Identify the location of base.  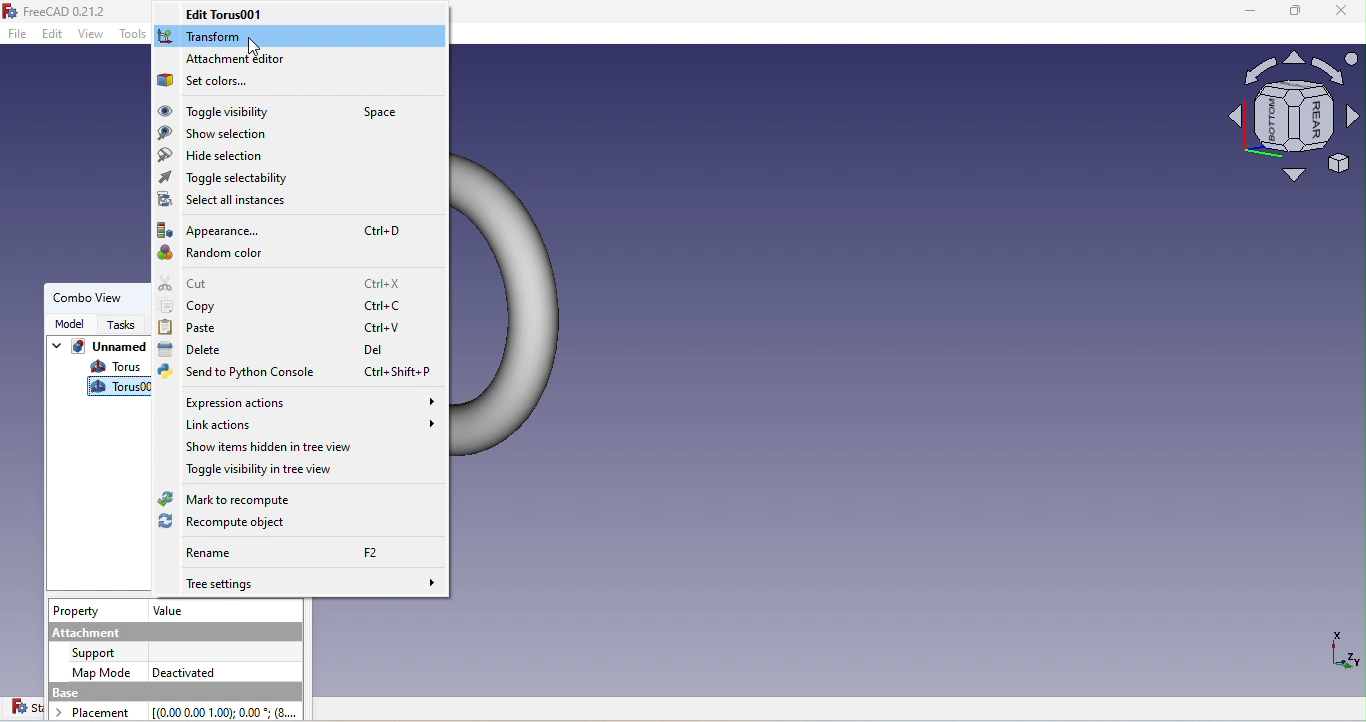
(171, 692).